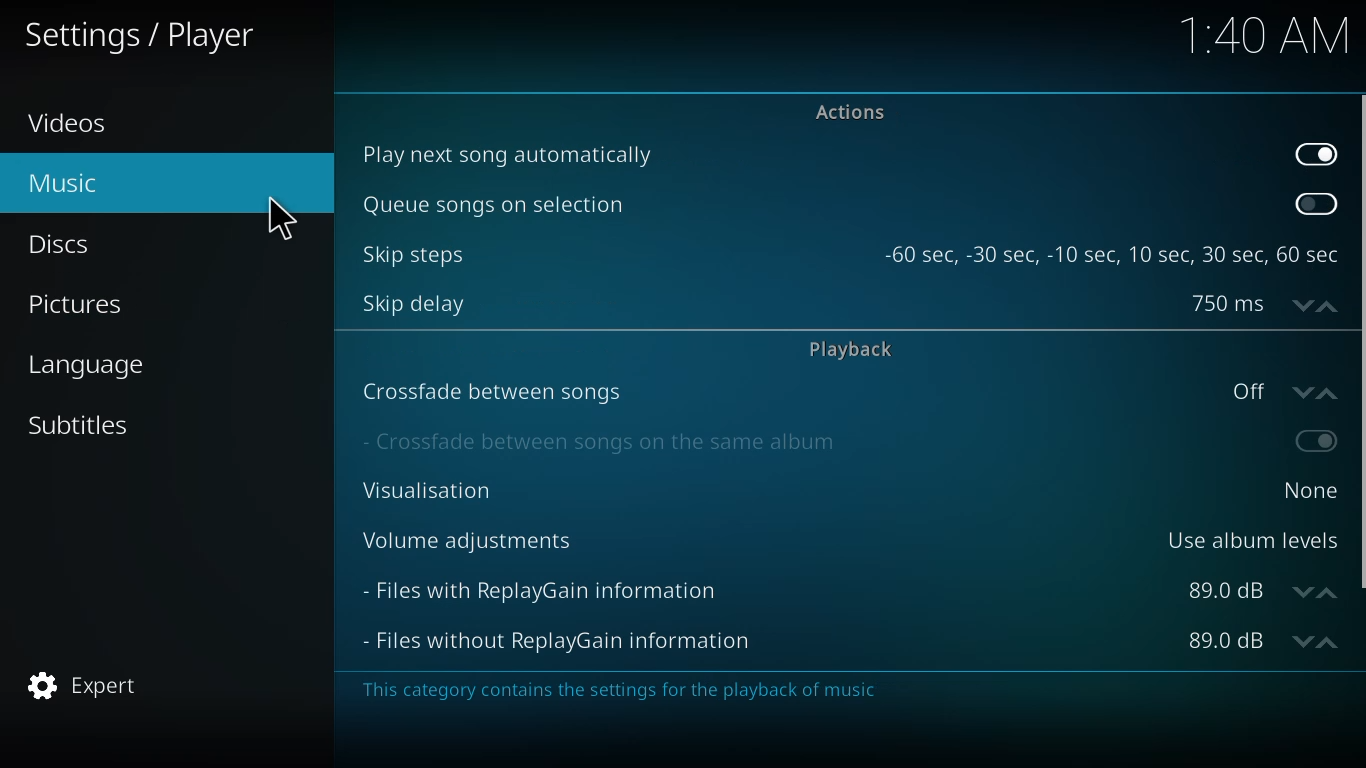 The height and width of the screenshot is (768, 1366). What do you see at coordinates (282, 220) in the screenshot?
I see `cursor` at bounding box center [282, 220].